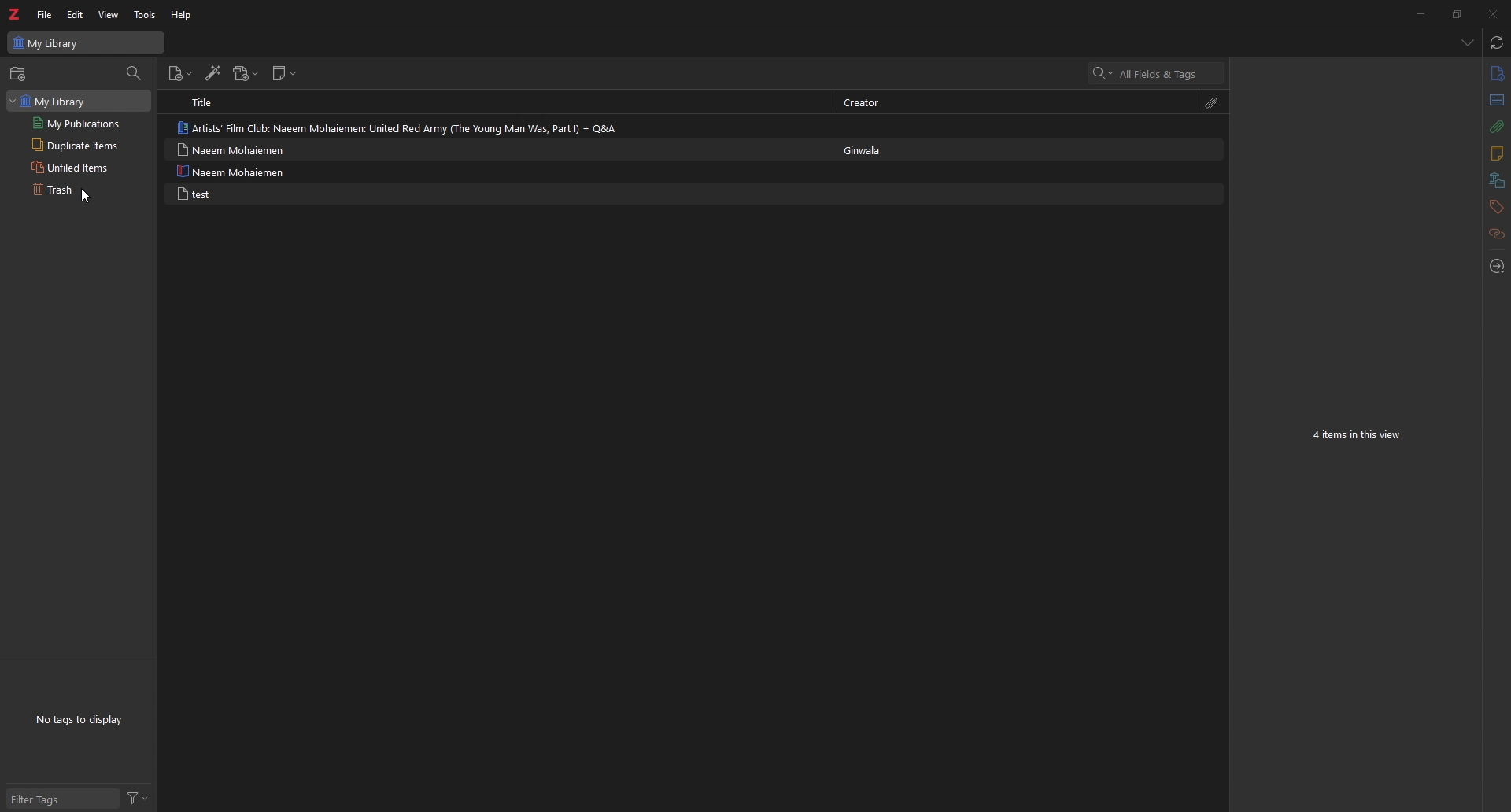 This screenshot has width=1511, height=812. What do you see at coordinates (214, 74) in the screenshot?
I see `add items by identifier` at bounding box center [214, 74].